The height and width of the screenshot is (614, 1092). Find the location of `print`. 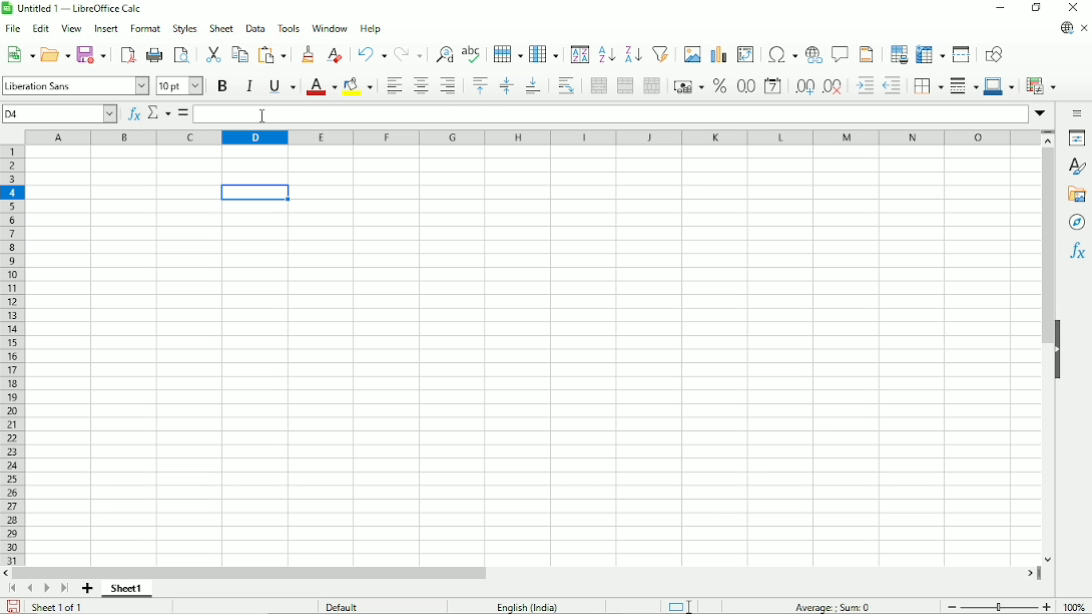

print is located at coordinates (155, 55).